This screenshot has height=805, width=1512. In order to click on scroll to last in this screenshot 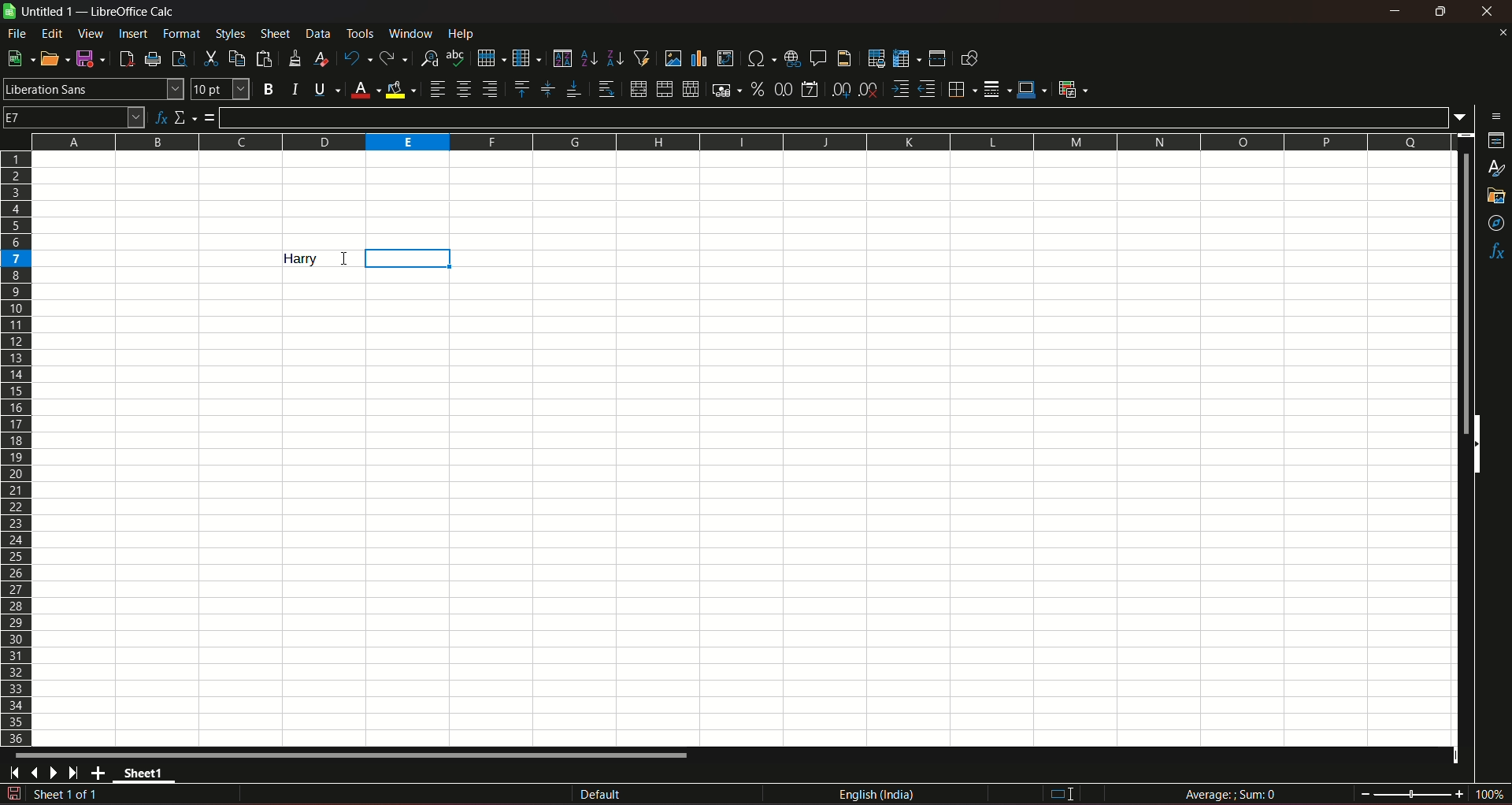, I will do `click(78, 773)`.